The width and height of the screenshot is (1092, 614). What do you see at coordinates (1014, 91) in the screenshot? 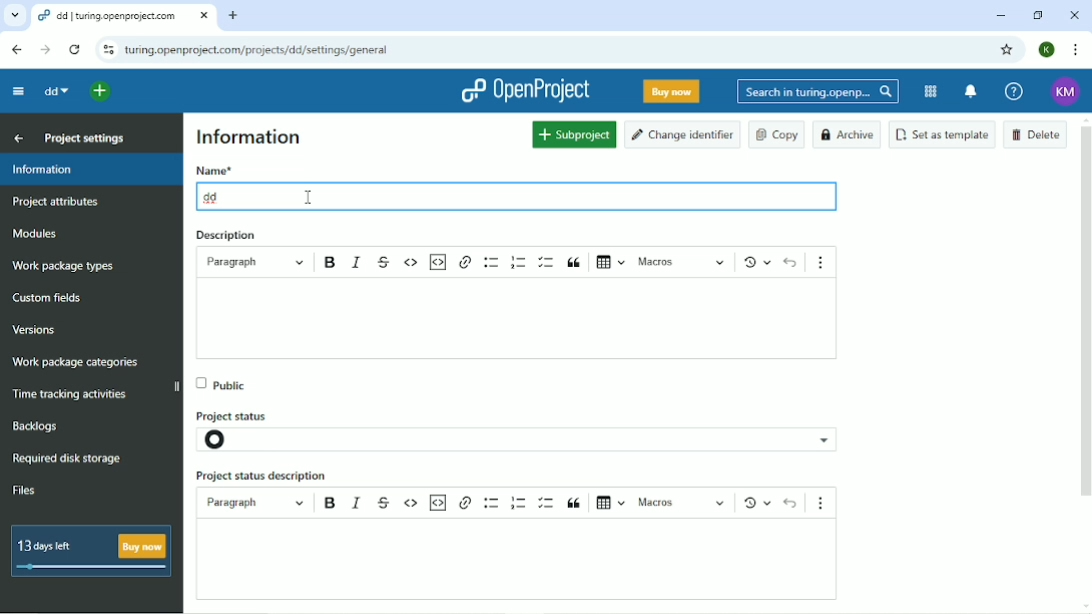
I see `Help` at bounding box center [1014, 91].